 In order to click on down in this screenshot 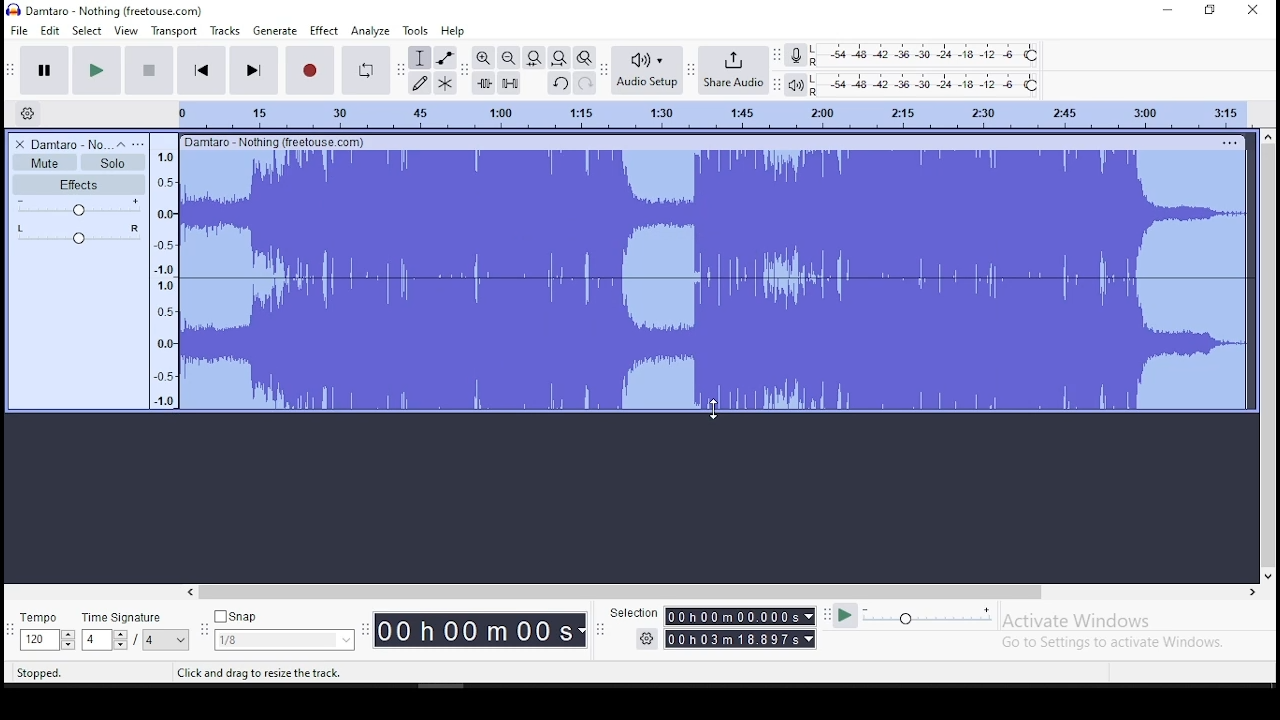, I will do `click(1267, 575)`.